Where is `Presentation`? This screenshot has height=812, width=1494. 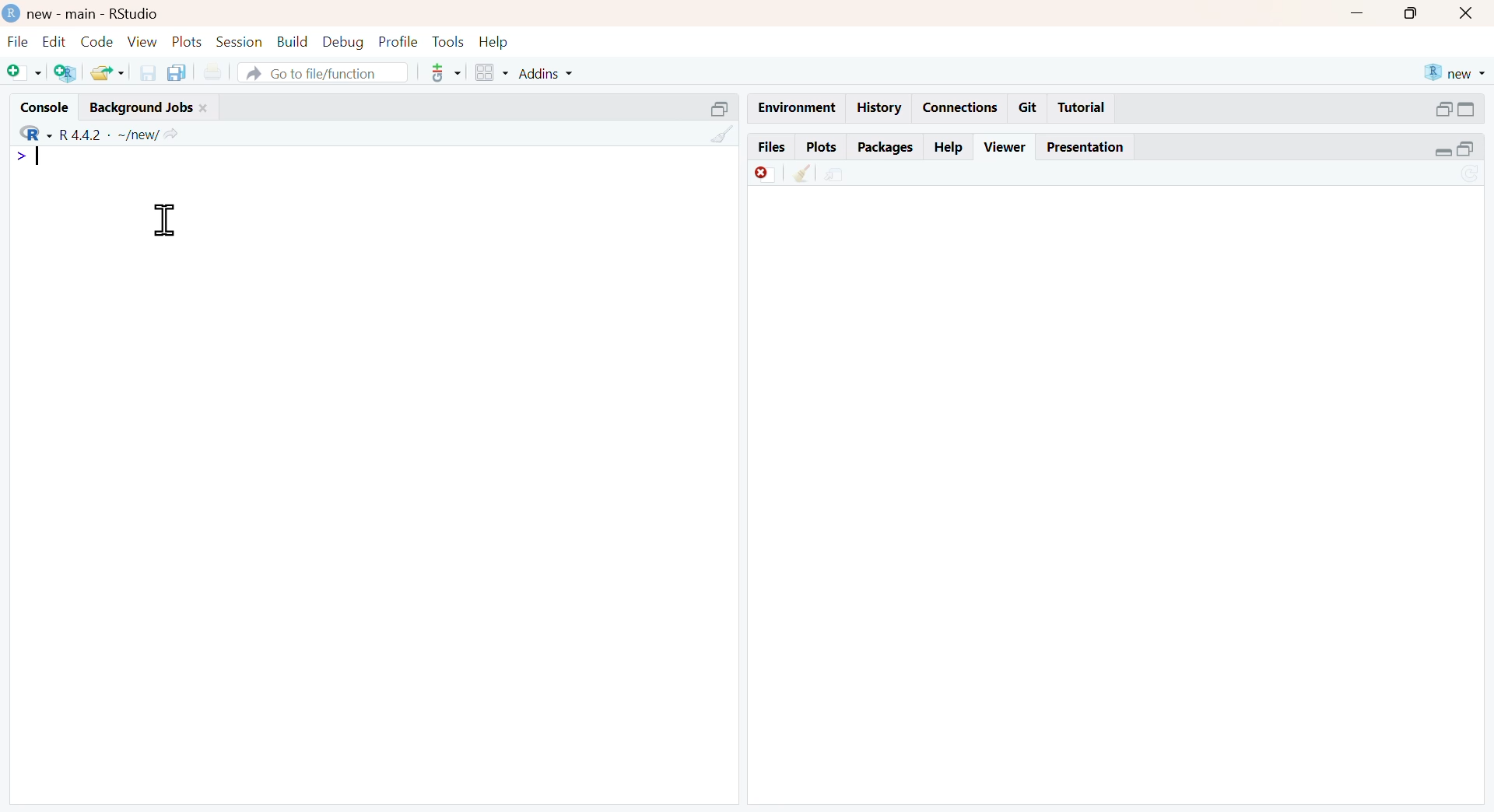
Presentation is located at coordinates (1085, 147).